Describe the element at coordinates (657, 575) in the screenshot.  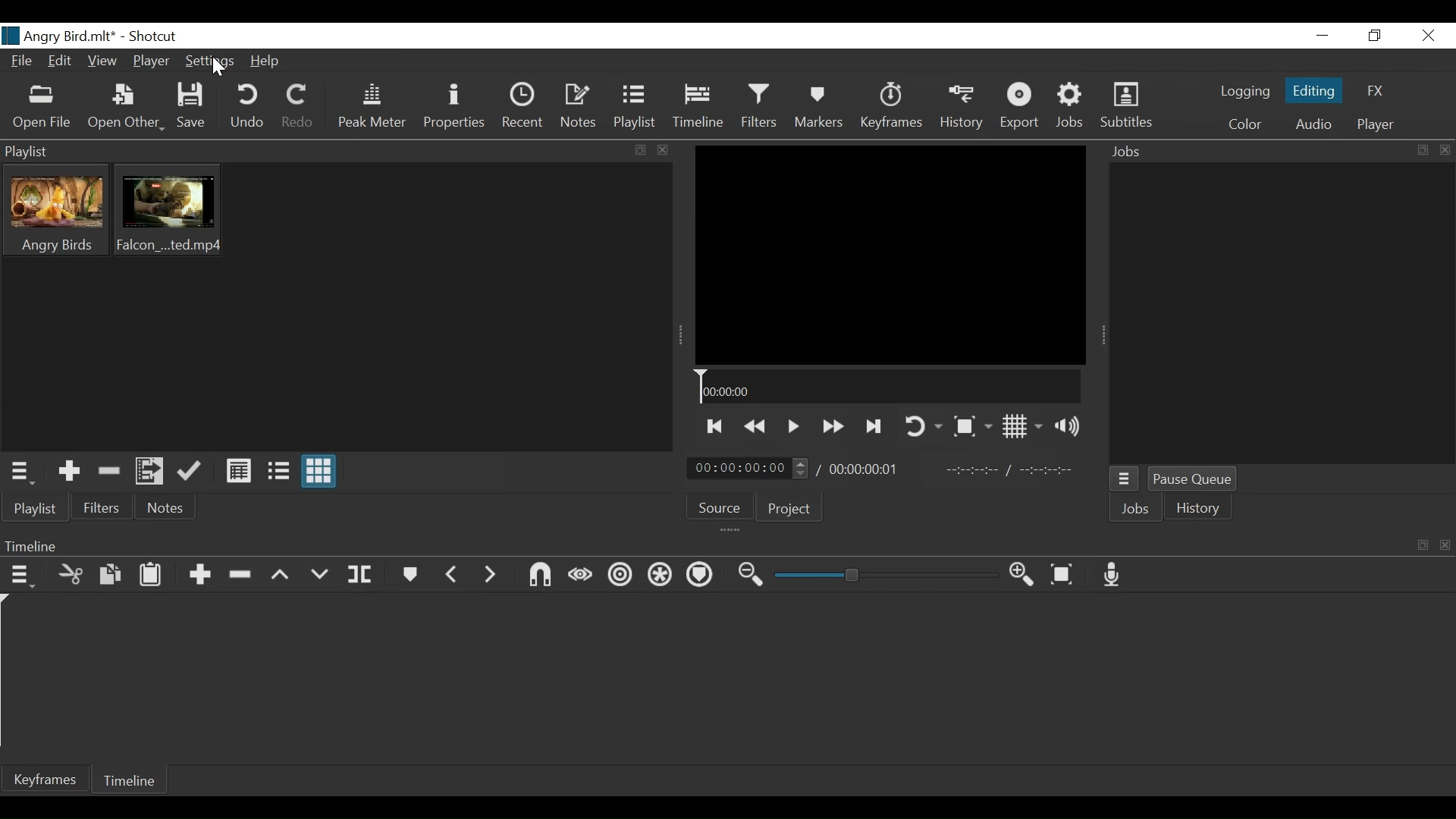
I see `Ripple all tracks` at that location.